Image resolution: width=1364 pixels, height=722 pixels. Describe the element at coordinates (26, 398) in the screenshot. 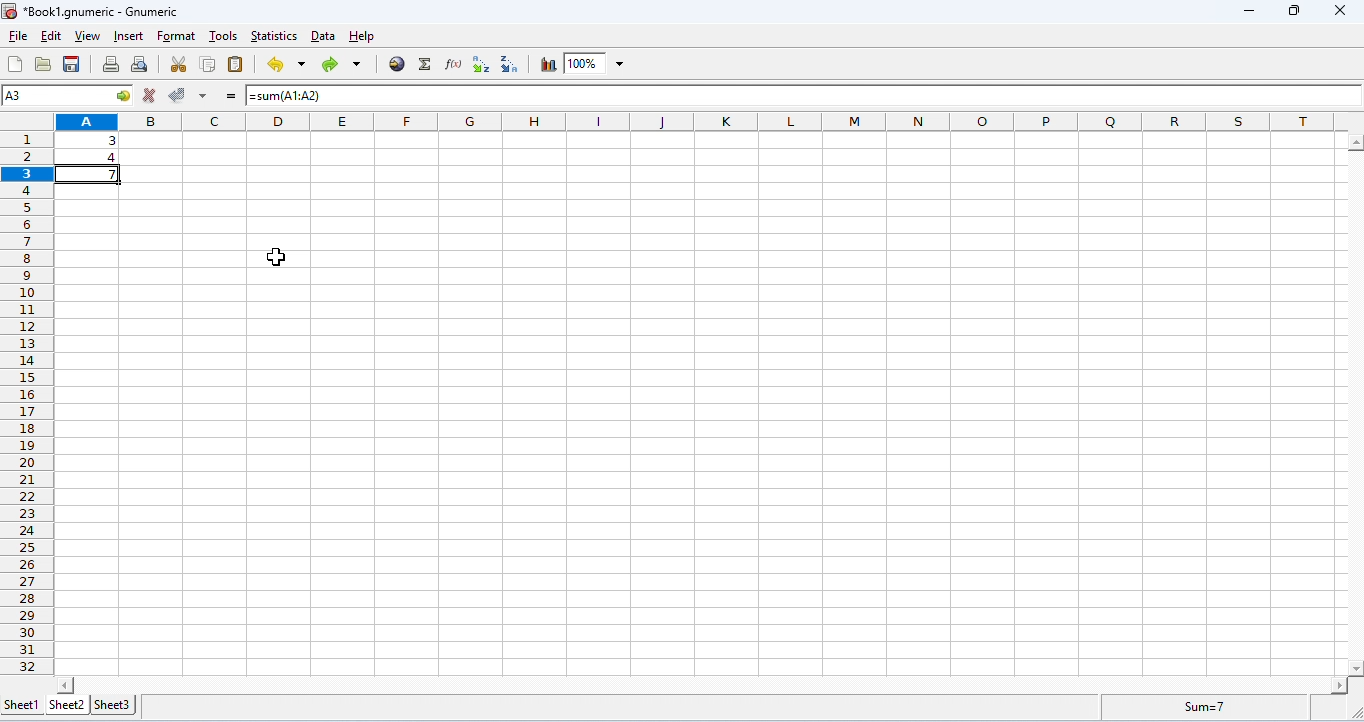

I see `row numbers` at that location.